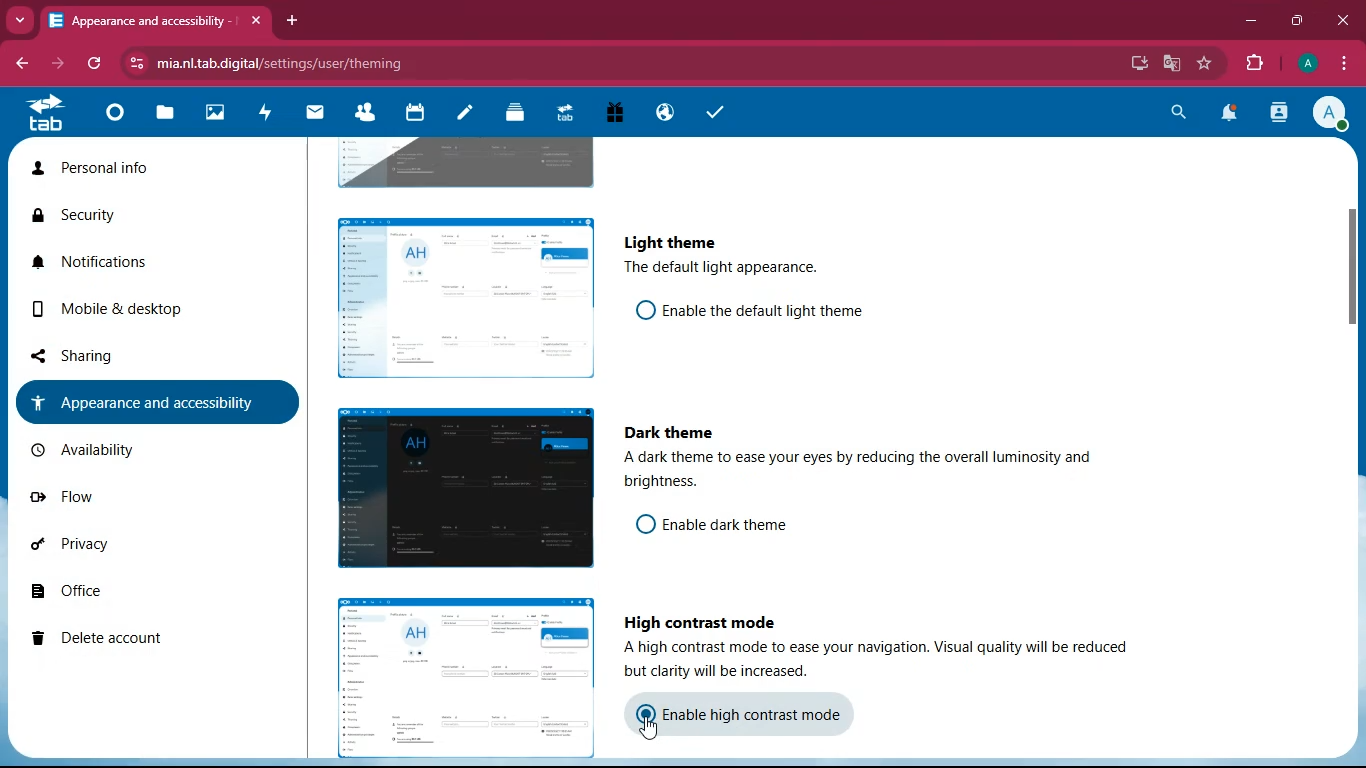  Describe the element at coordinates (103, 169) in the screenshot. I see `personal info` at that location.